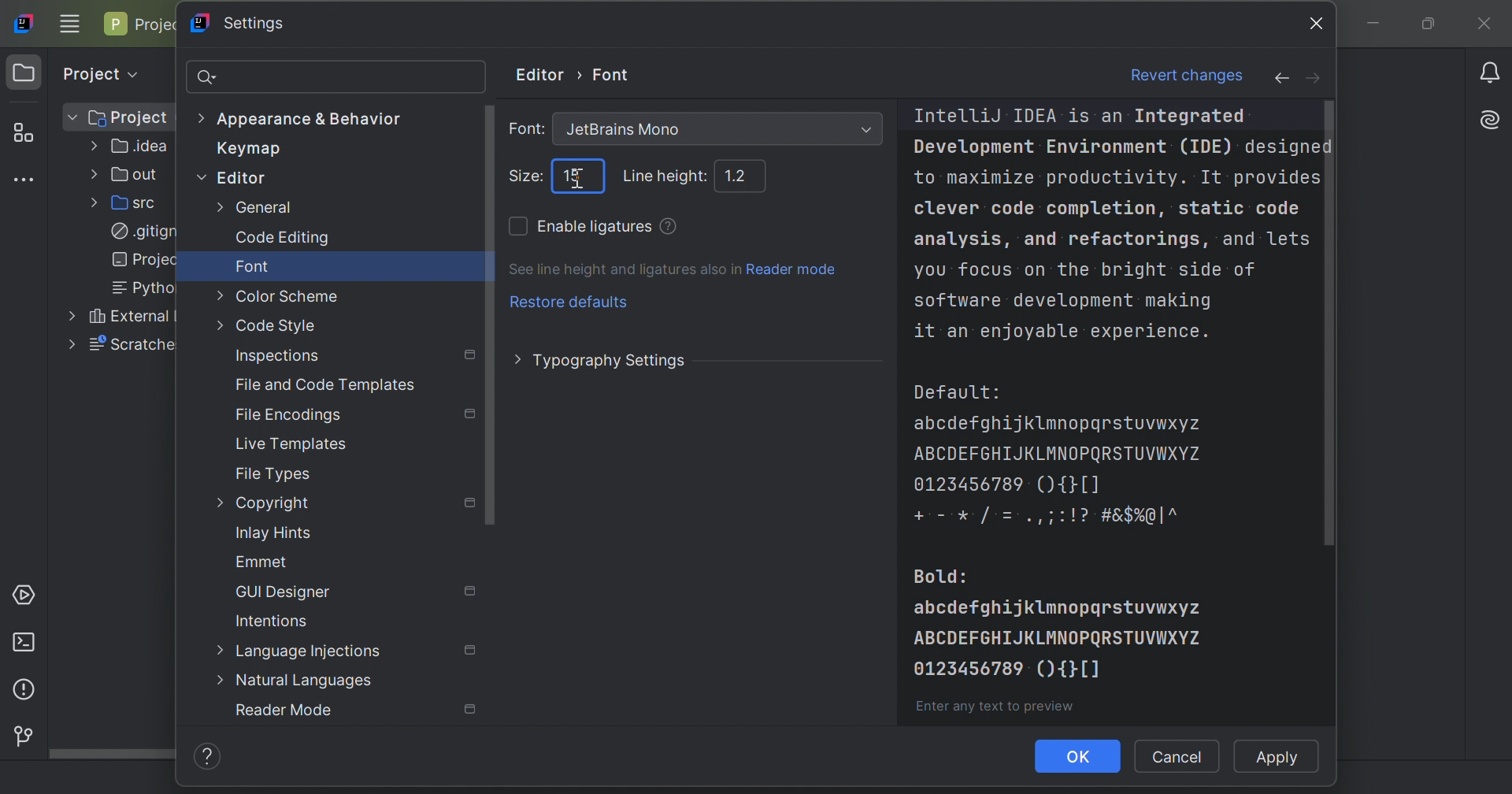 The height and width of the screenshot is (794, 1512). Describe the element at coordinates (1335, 365) in the screenshot. I see `scroll bar ` at that location.